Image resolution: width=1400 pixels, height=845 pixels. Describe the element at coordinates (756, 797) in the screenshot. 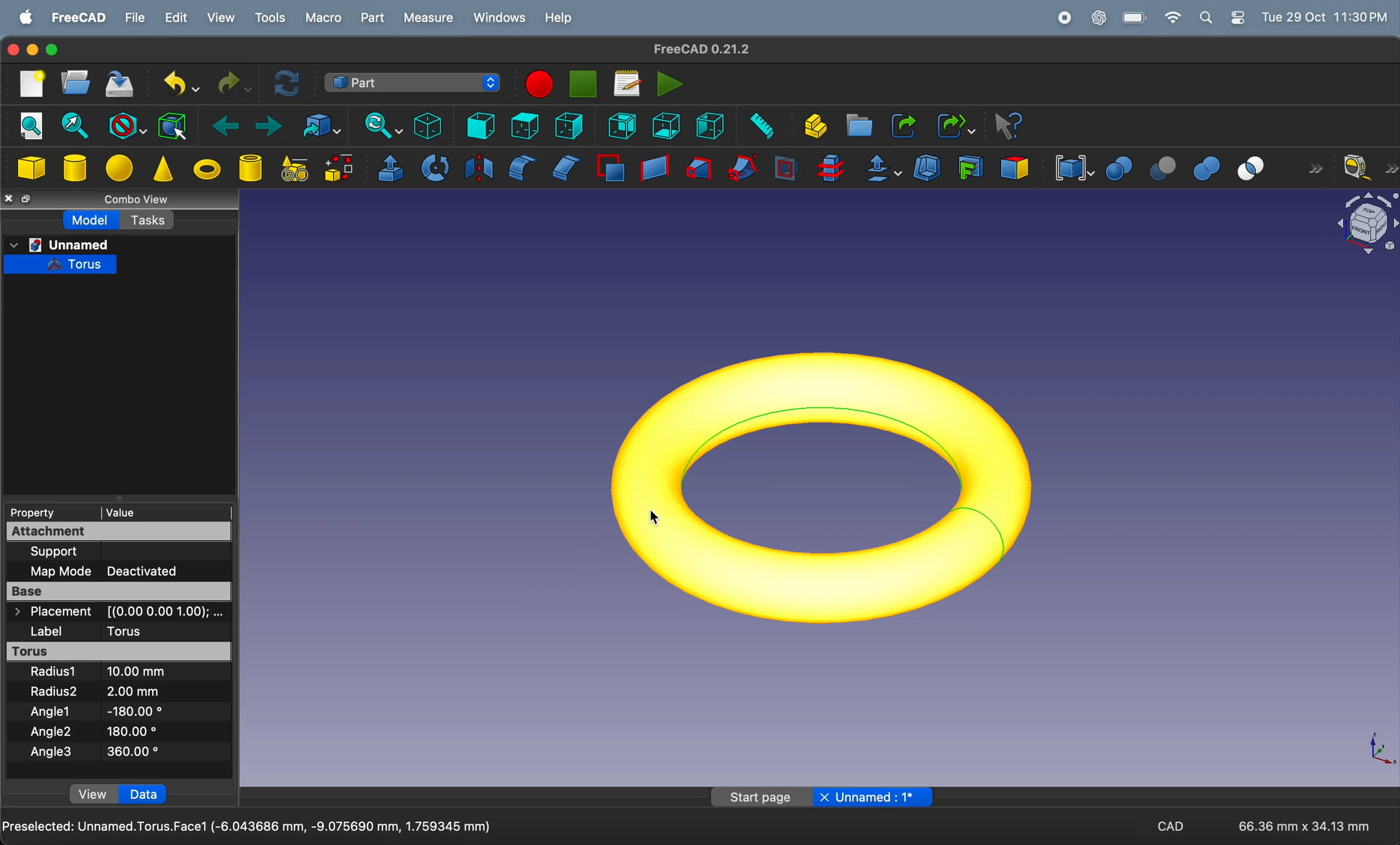

I see `Start page` at that location.